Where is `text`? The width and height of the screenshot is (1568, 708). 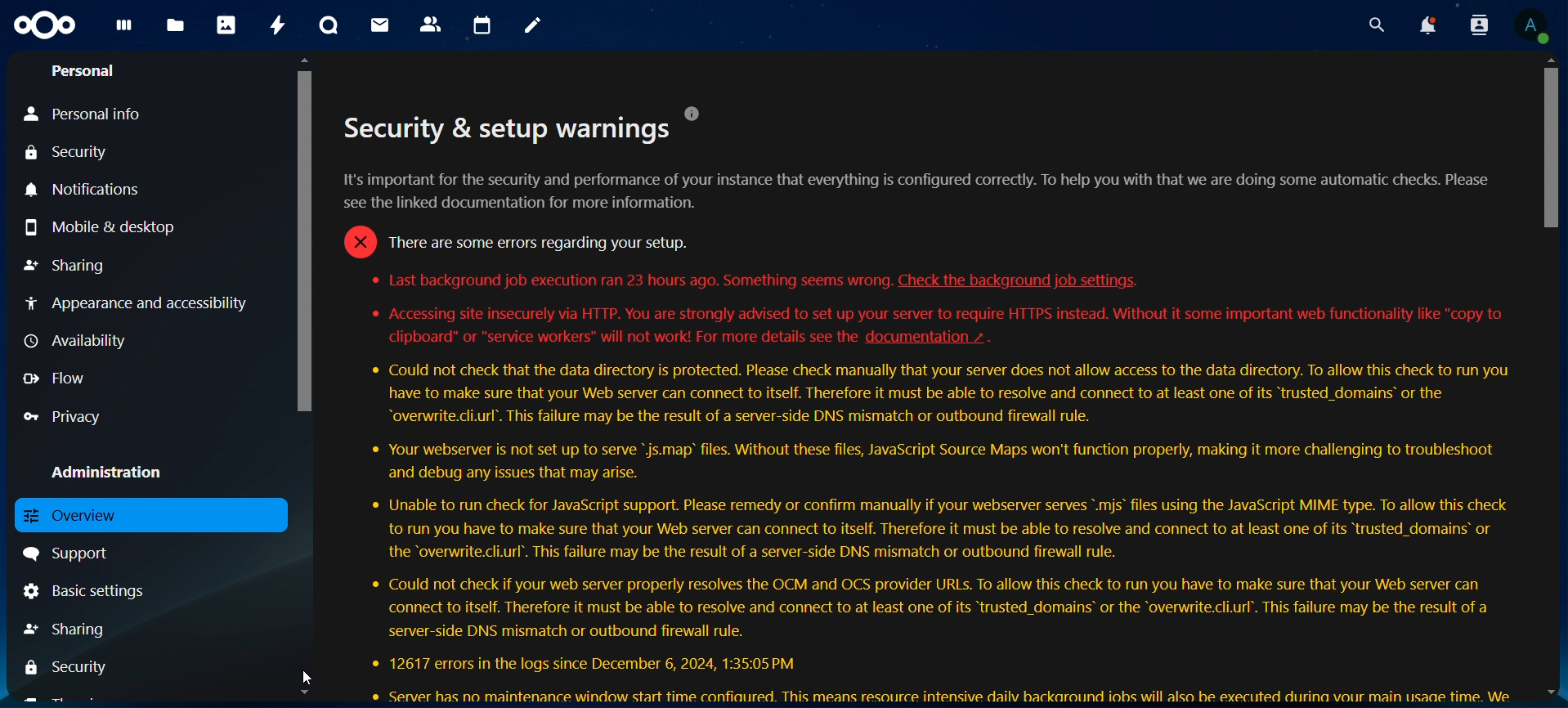
text is located at coordinates (929, 404).